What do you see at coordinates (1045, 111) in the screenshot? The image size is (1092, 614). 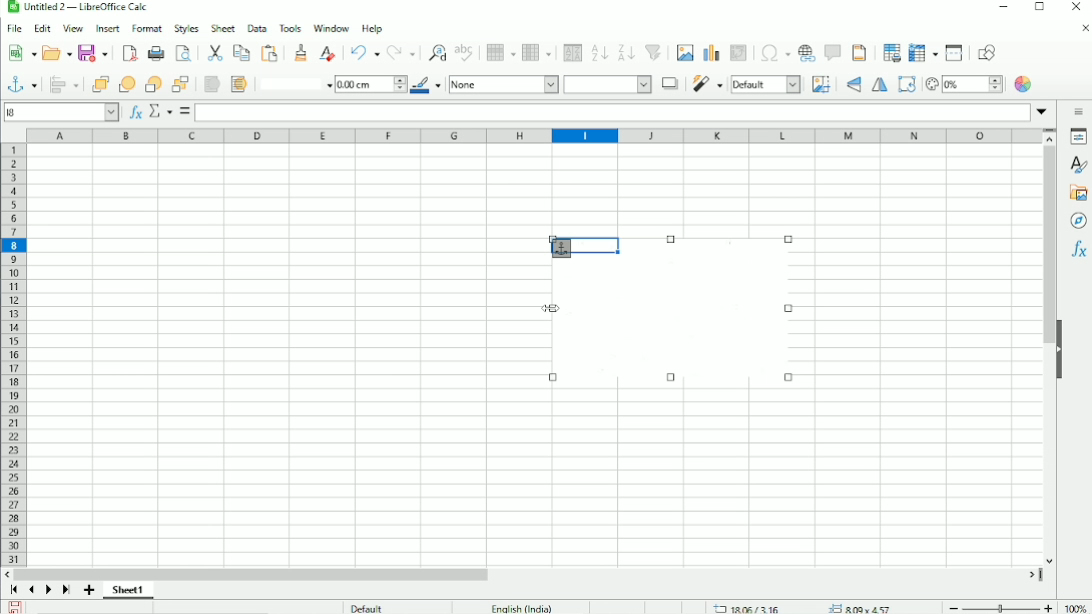 I see `Expand formula bar` at bounding box center [1045, 111].